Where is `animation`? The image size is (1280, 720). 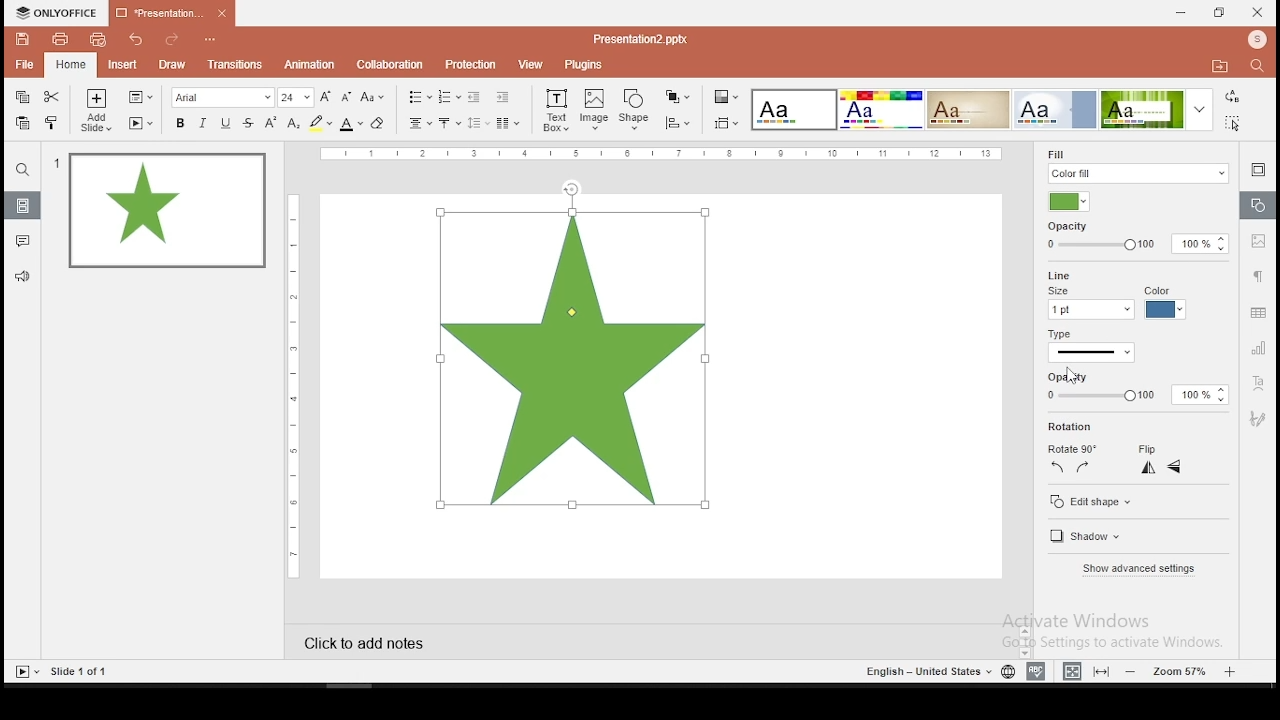 animation is located at coordinates (312, 65).